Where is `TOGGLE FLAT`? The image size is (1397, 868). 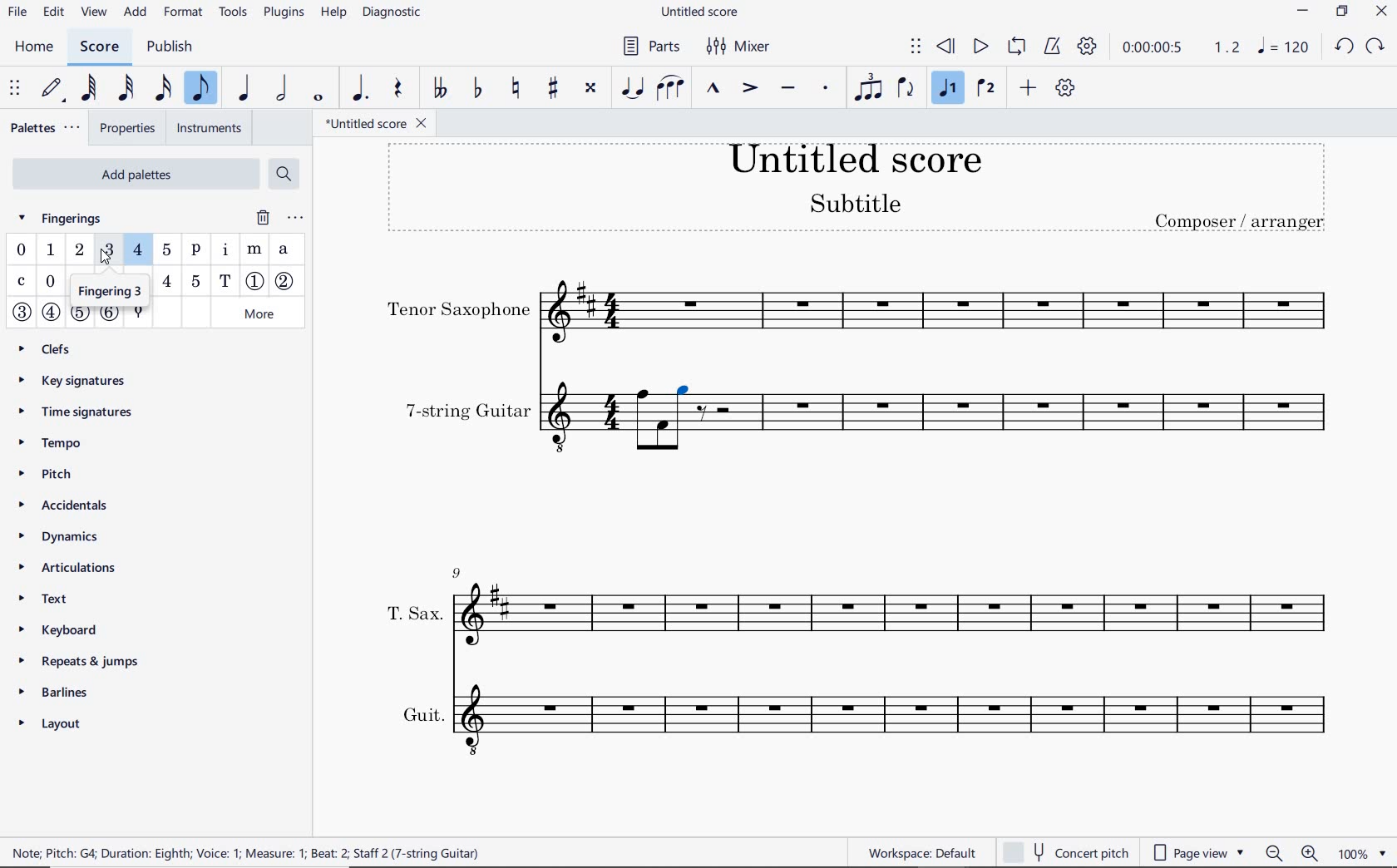 TOGGLE FLAT is located at coordinates (478, 89).